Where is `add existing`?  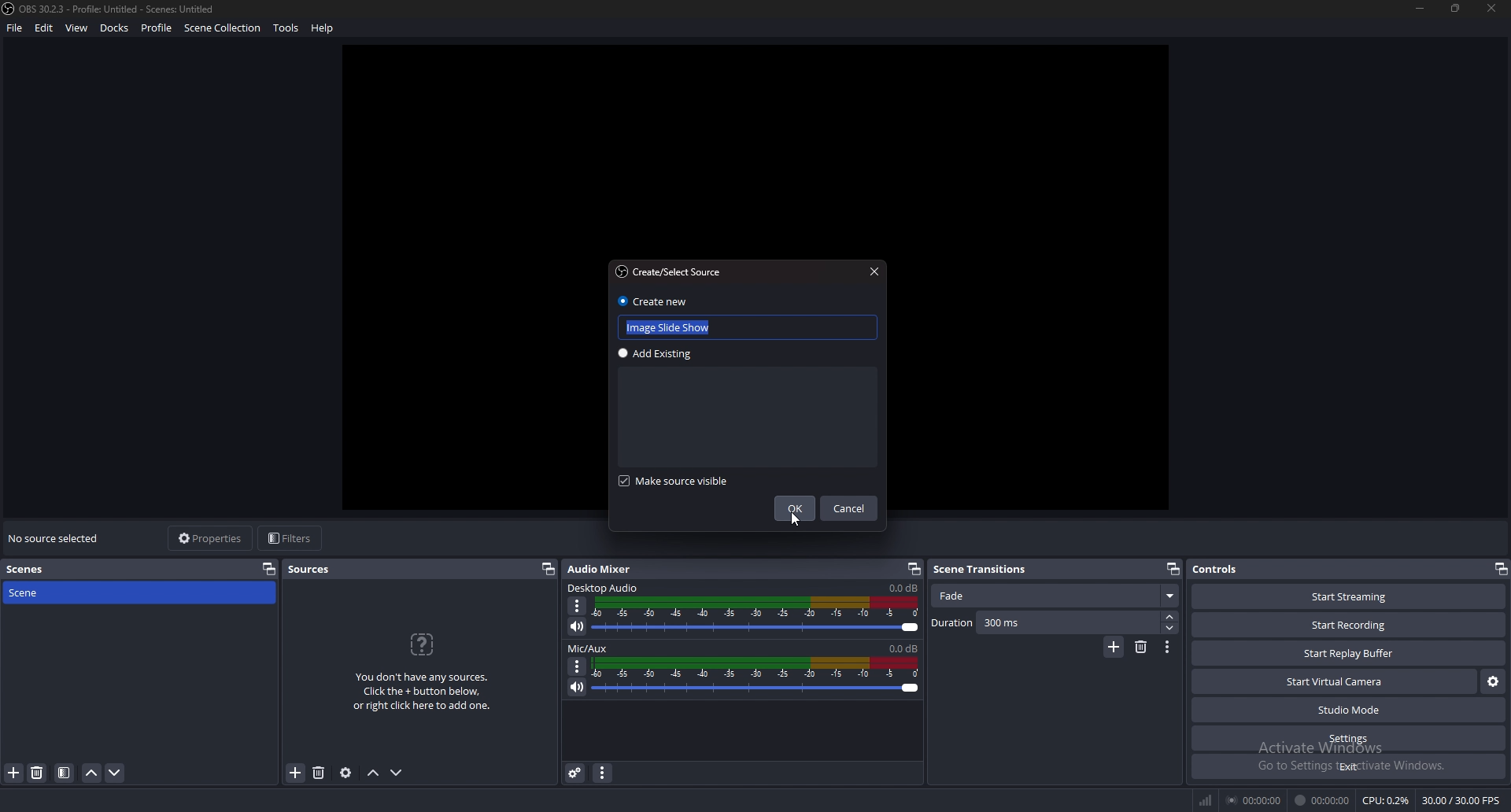
add existing is located at coordinates (660, 353).